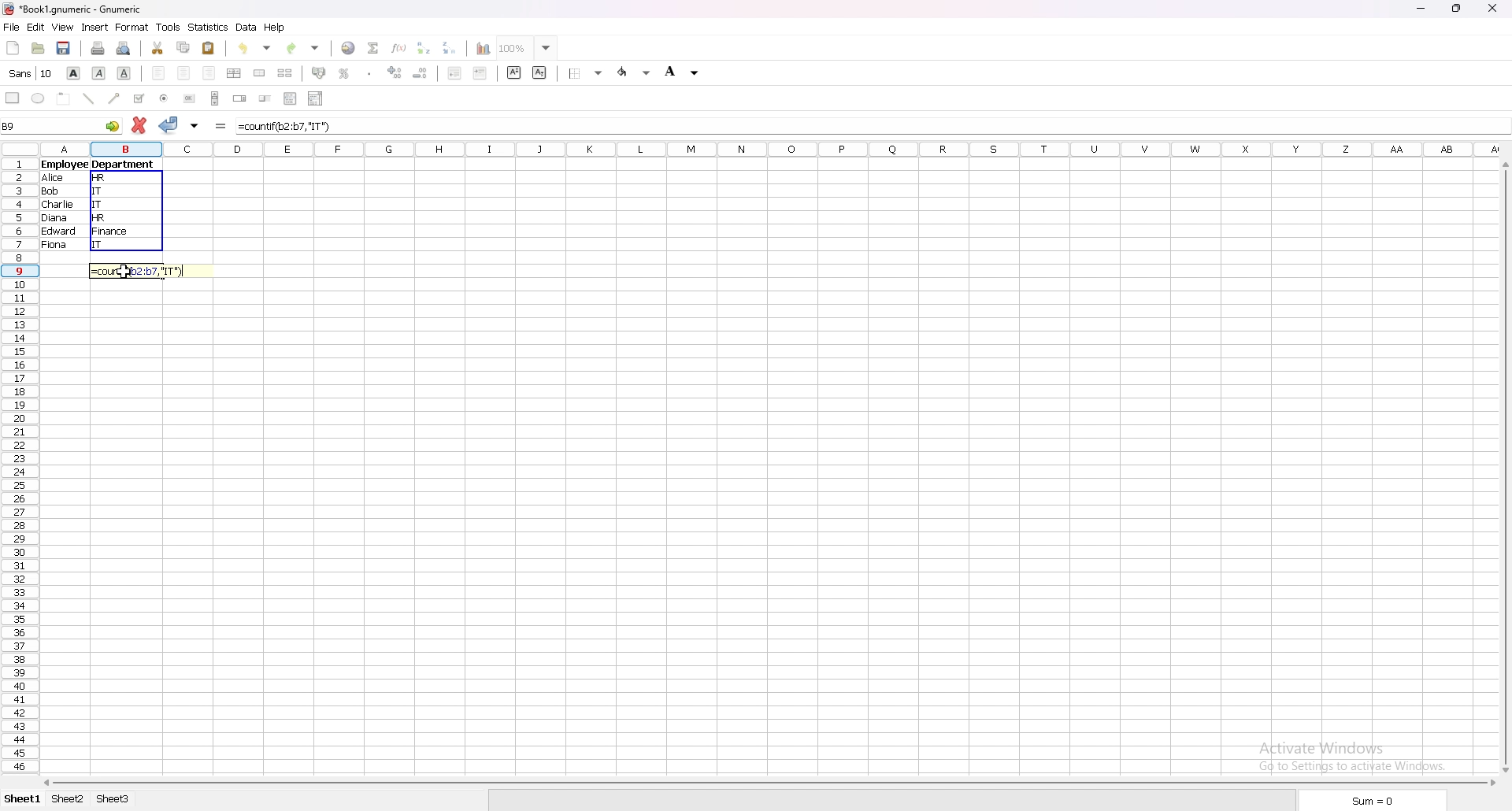 The width and height of the screenshot is (1512, 811). What do you see at coordinates (100, 220) in the screenshot?
I see `HR` at bounding box center [100, 220].